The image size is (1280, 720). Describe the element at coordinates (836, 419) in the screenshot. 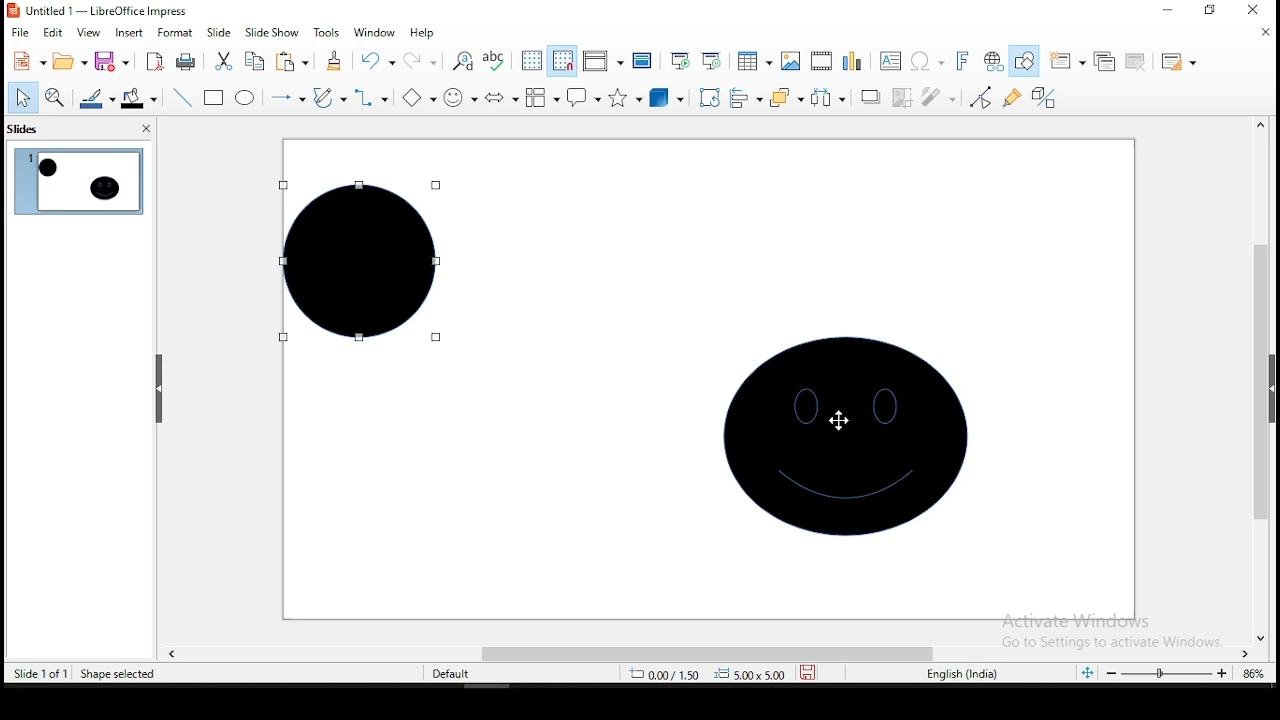

I see `mouse pointer` at that location.